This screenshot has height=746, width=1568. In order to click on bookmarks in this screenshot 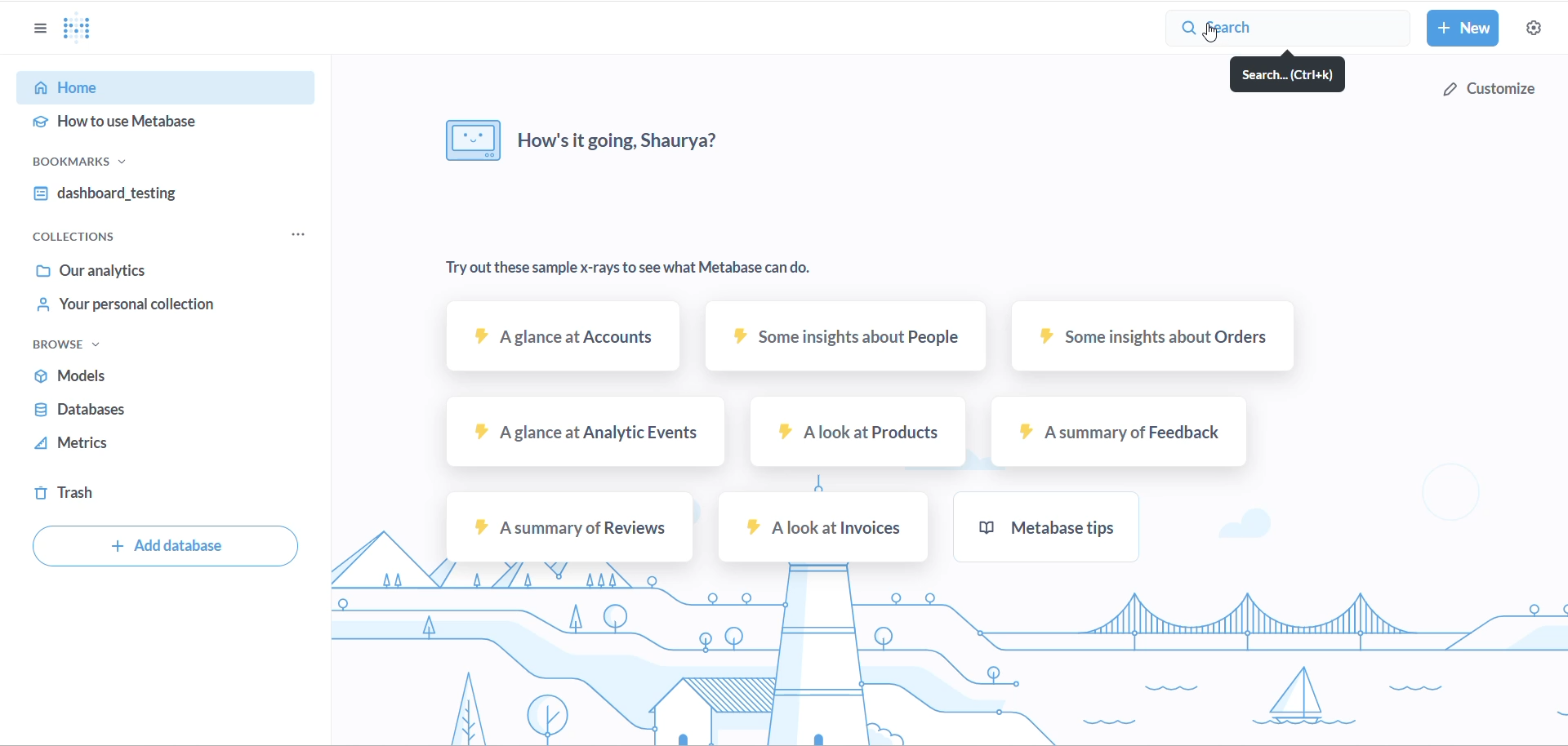, I will do `click(109, 166)`.